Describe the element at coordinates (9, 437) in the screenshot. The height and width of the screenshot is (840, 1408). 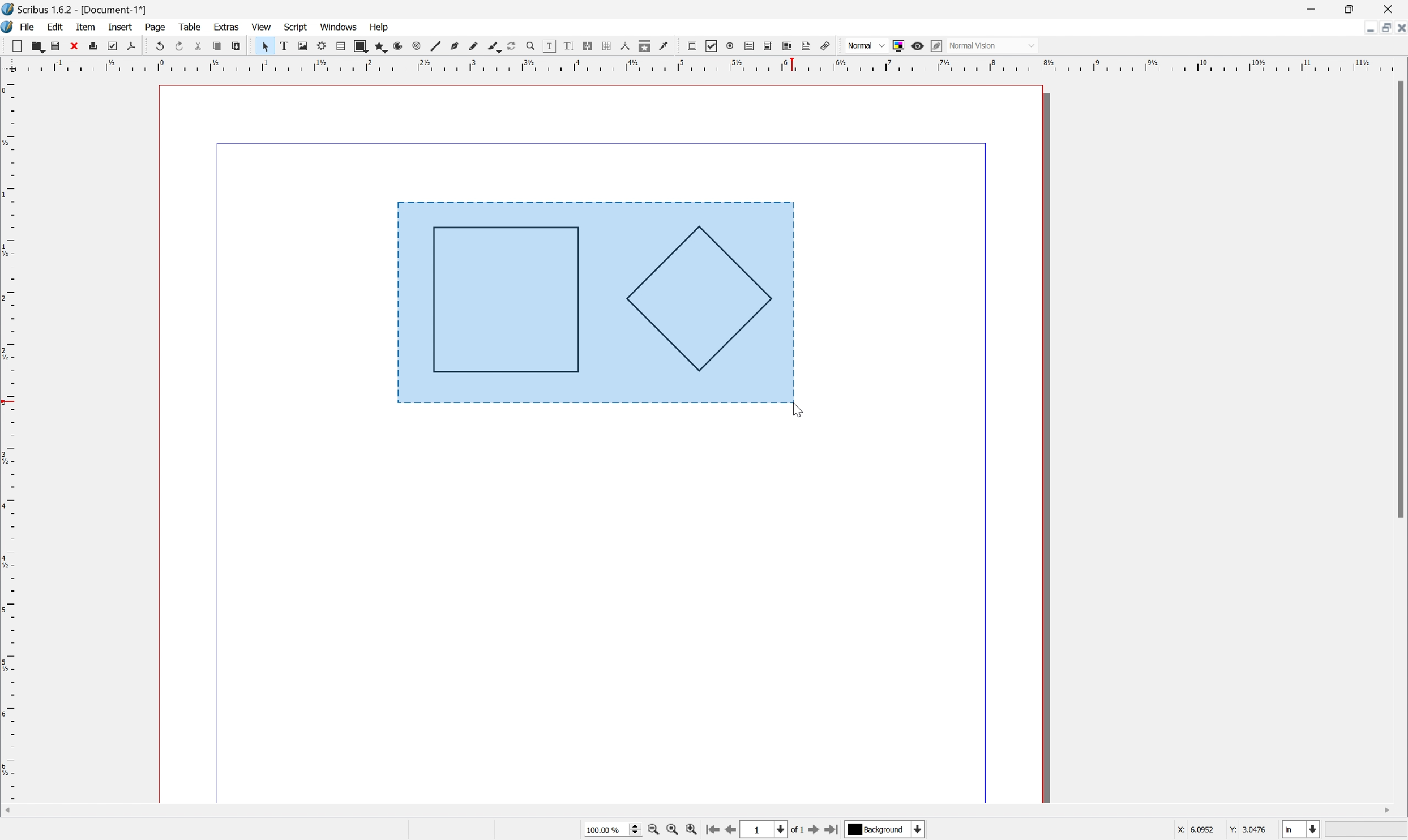
I see `Ruler` at that location.